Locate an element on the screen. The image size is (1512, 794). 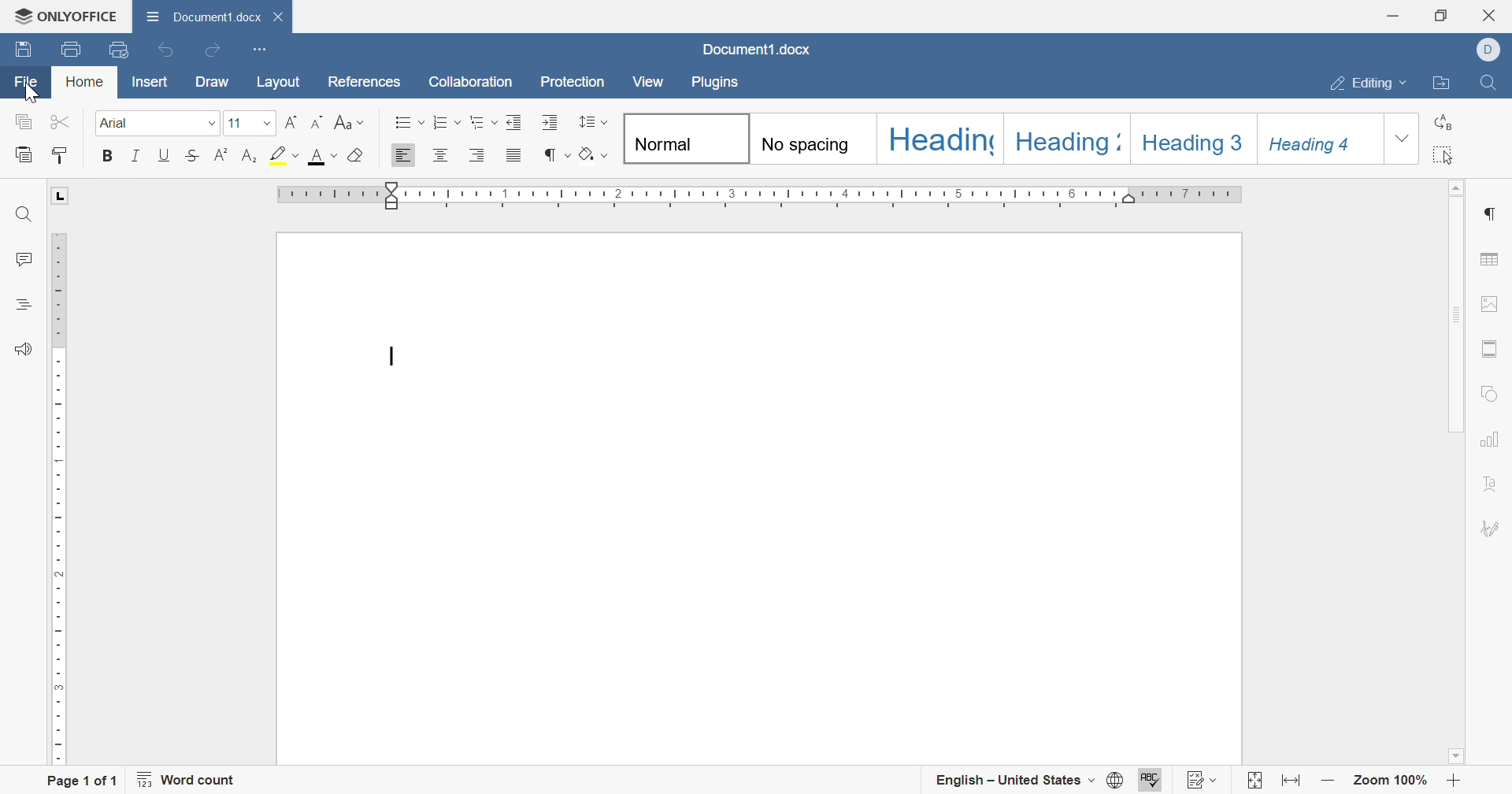
english - united states is located at coordinates (1015, 781).